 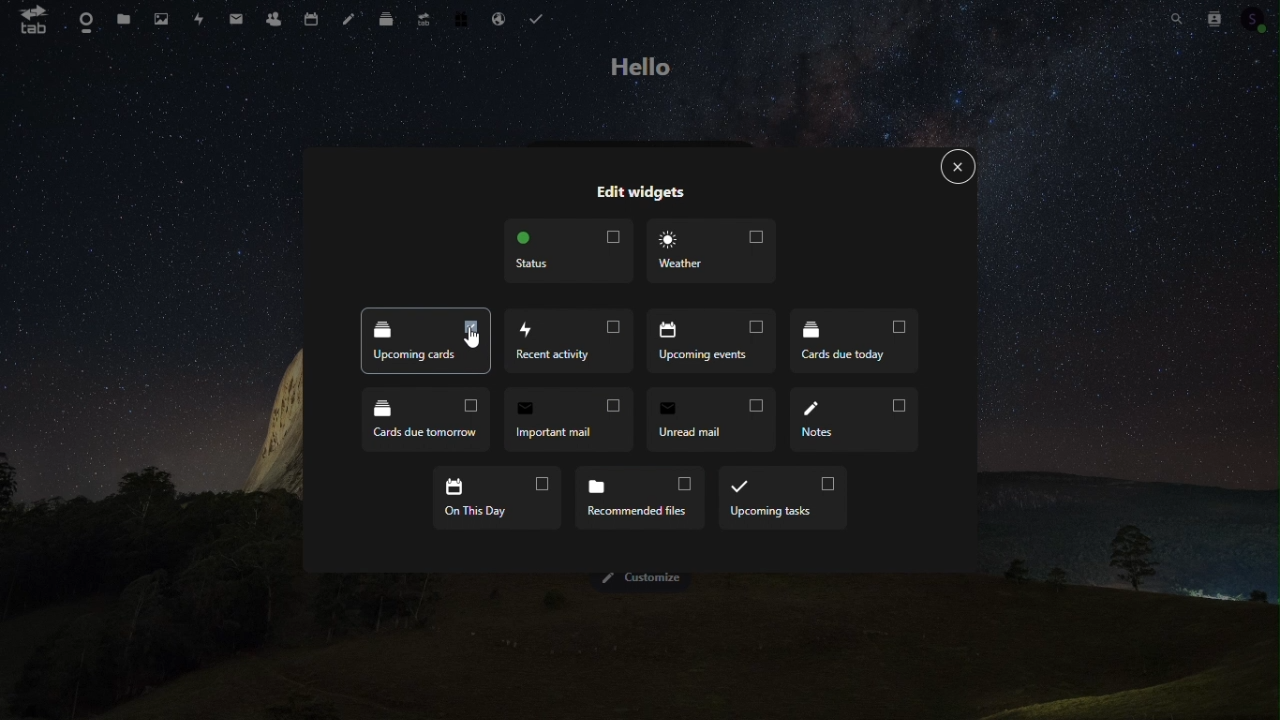 What do you see at coordinates (567, 422) in the screenshot?
I see `Important mail` at bounding box center [567, 422].